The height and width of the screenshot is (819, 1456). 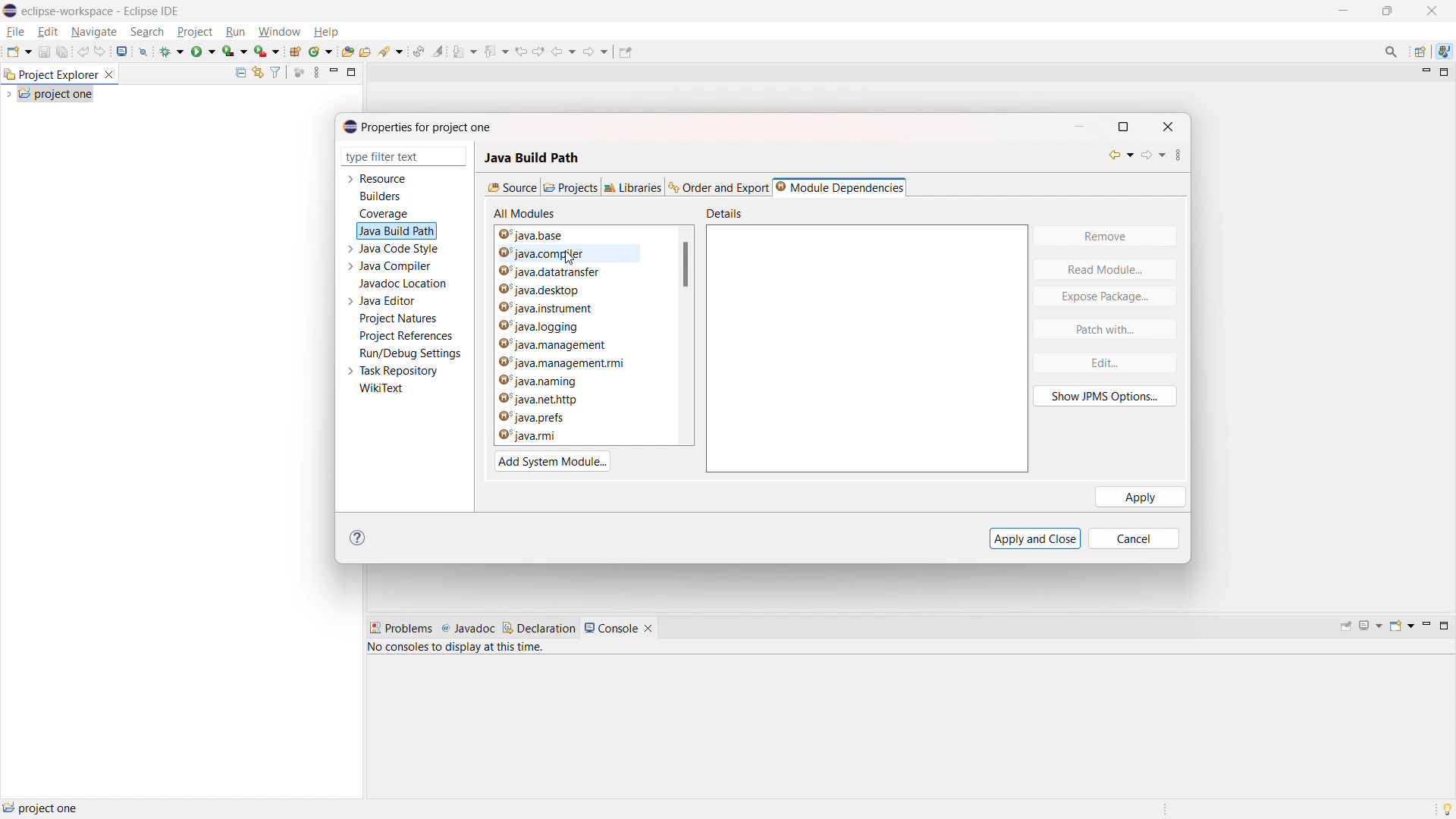 I want to click on view previous location, so click(x=521, y=50).